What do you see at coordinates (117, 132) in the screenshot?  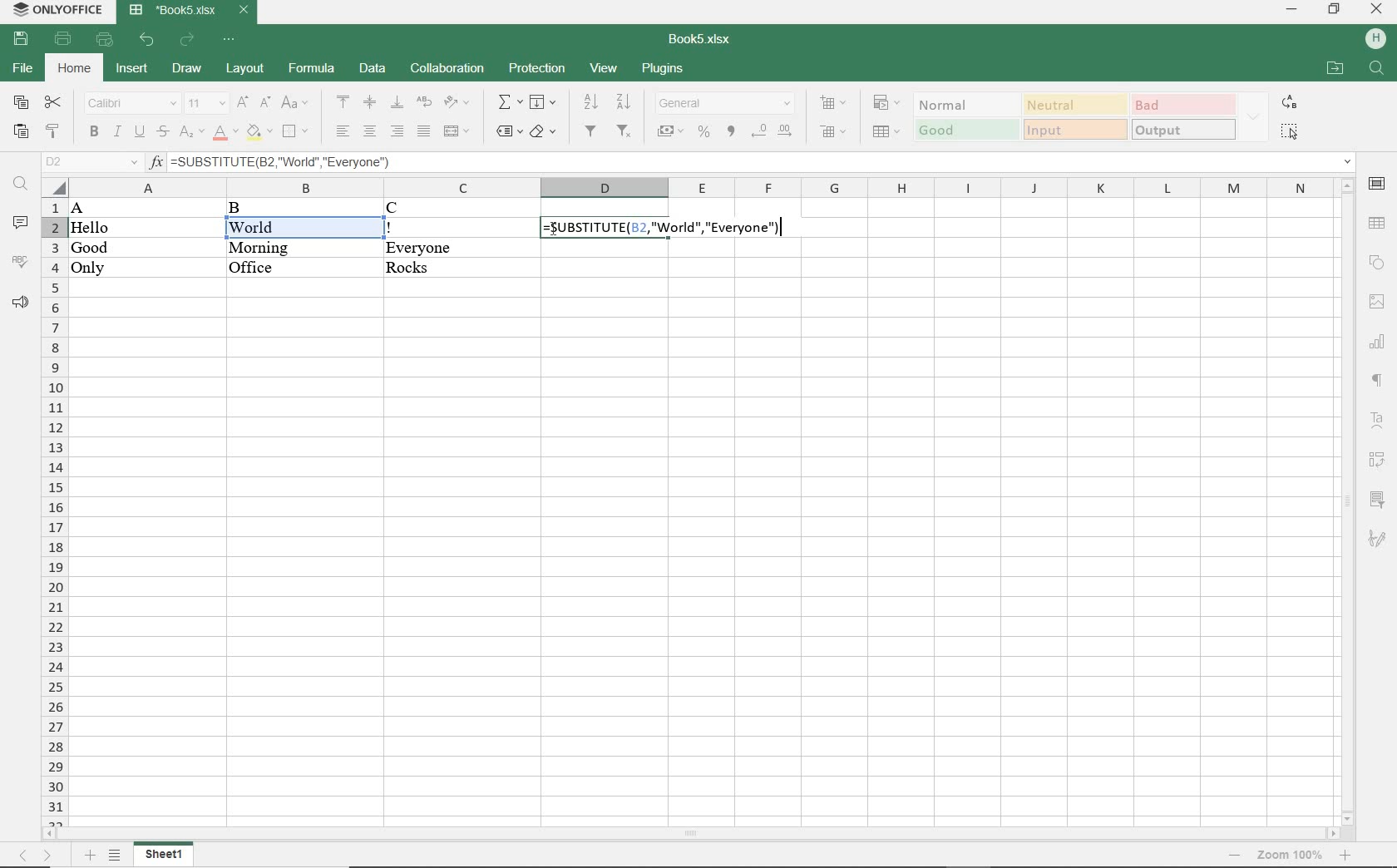 I see `italic` at bounding box center [117, 132].